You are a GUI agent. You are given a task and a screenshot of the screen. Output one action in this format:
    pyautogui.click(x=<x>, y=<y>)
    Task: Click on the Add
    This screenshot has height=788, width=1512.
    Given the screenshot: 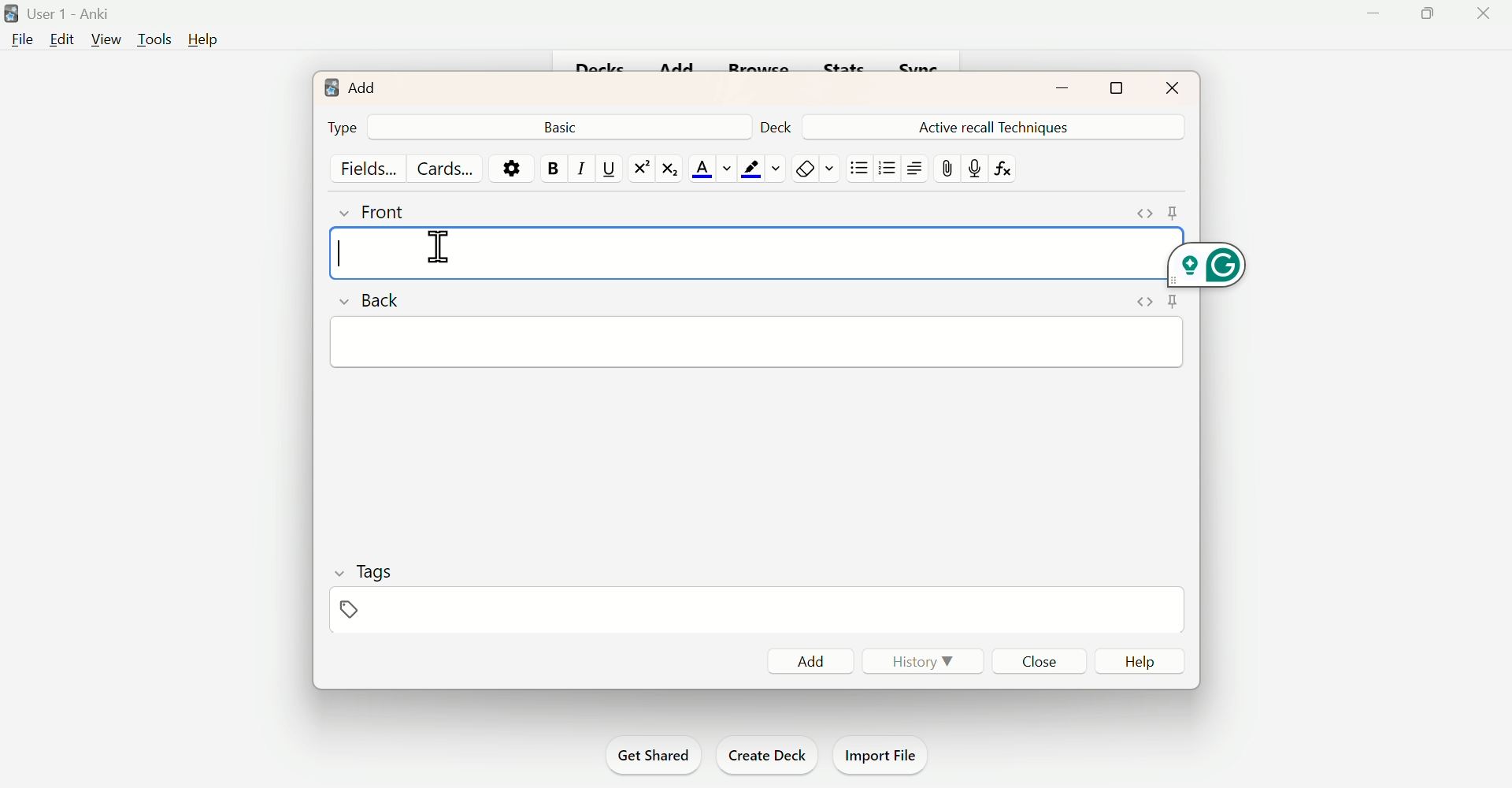 What is the action you would take?
    pyautogui.click(x=809, y=662)
    